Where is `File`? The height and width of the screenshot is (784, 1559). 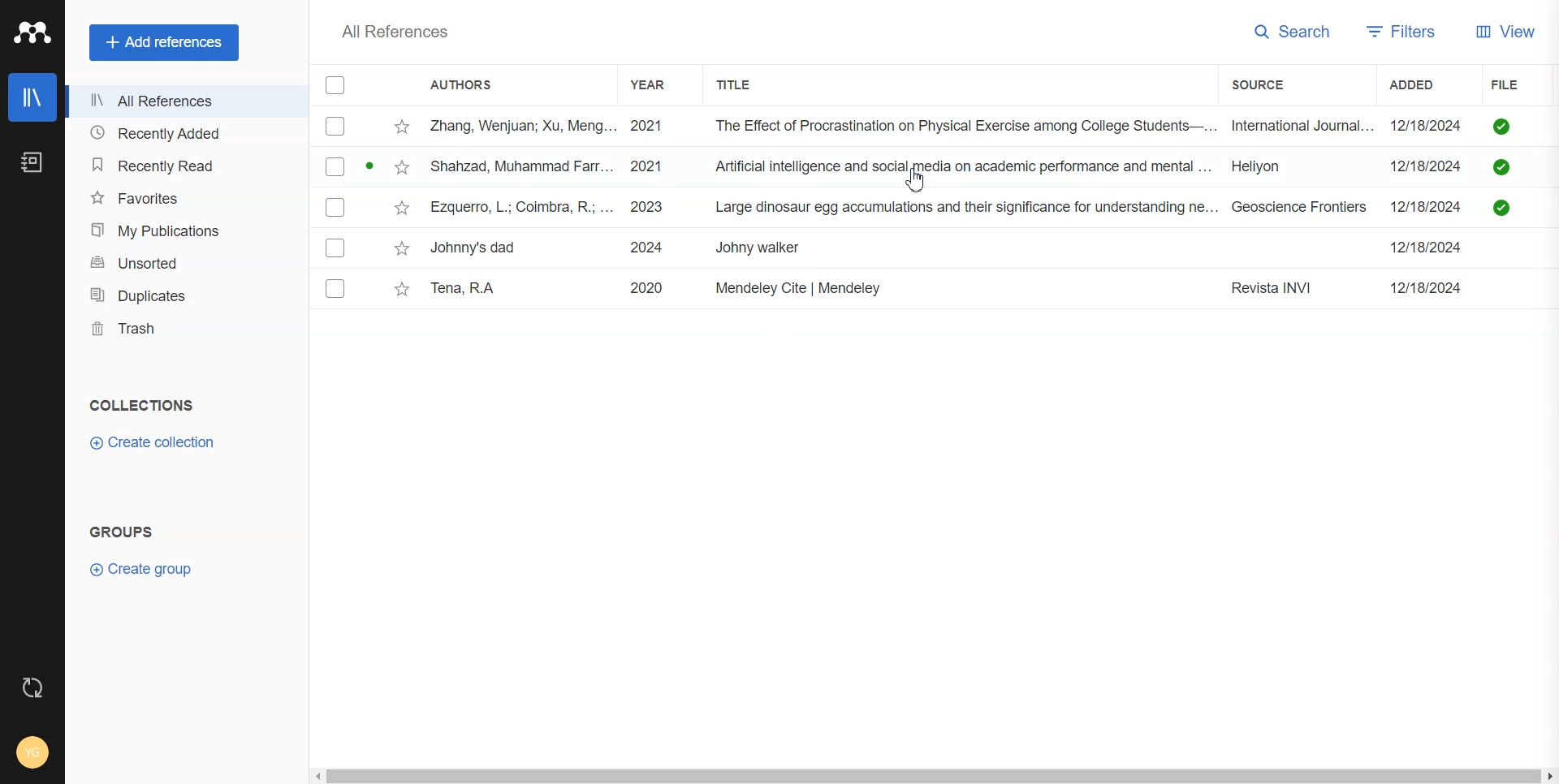
File is located at coordinates (935, 290).